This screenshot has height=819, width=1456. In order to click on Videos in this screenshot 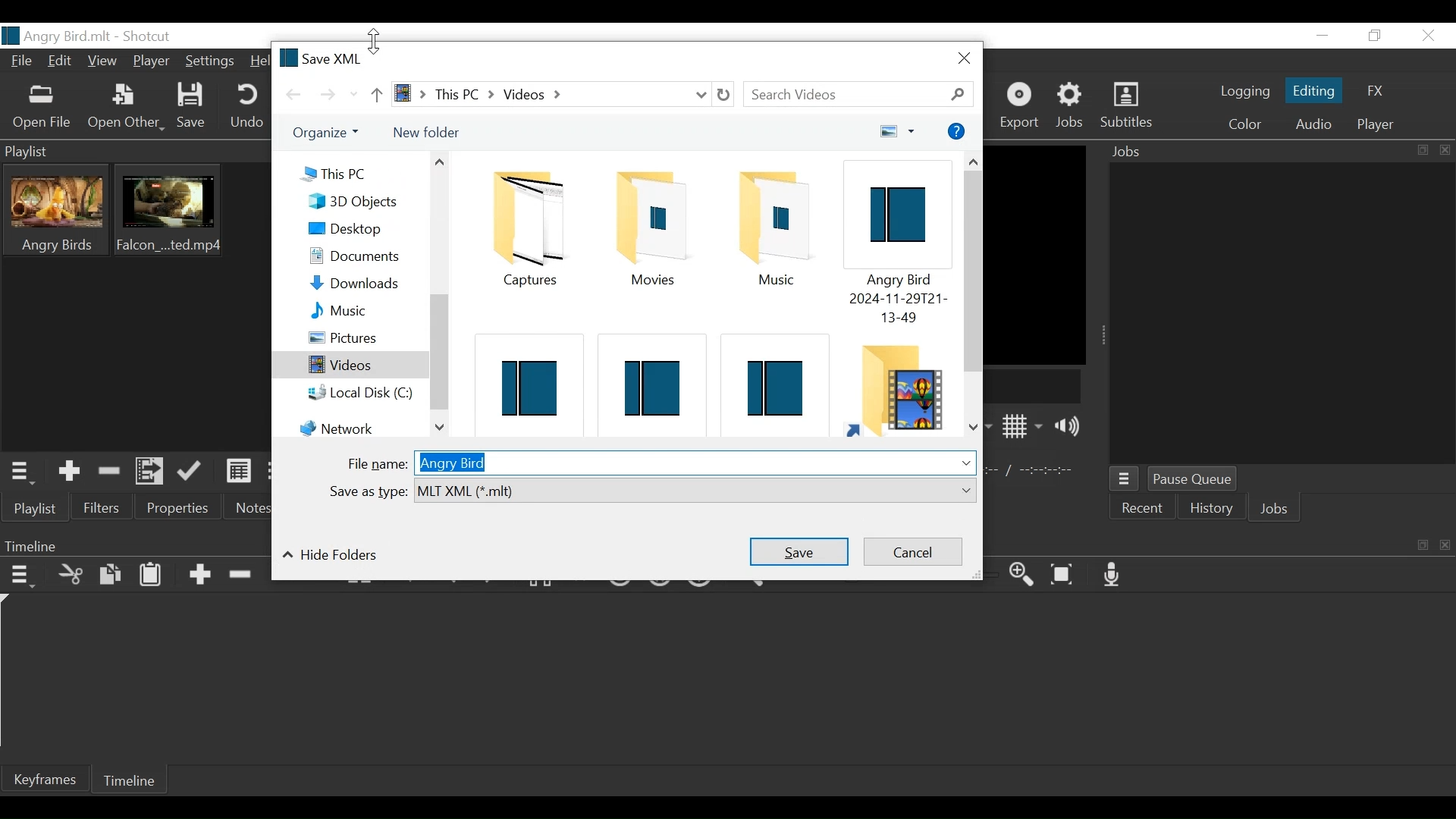, I will do `click(350, 365)`.